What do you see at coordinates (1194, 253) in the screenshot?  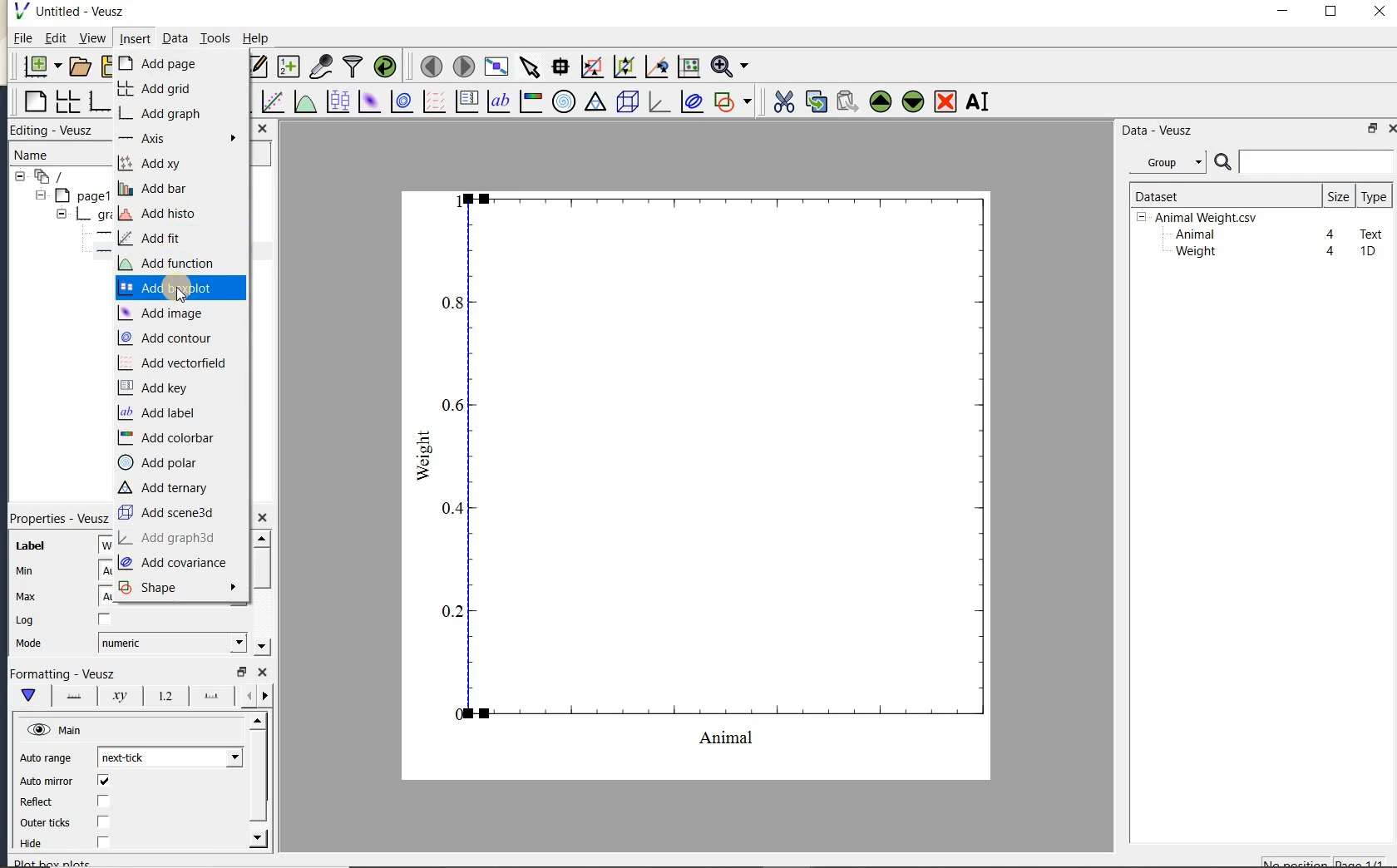 I see `Weight` at bounding box center [1194, 253].